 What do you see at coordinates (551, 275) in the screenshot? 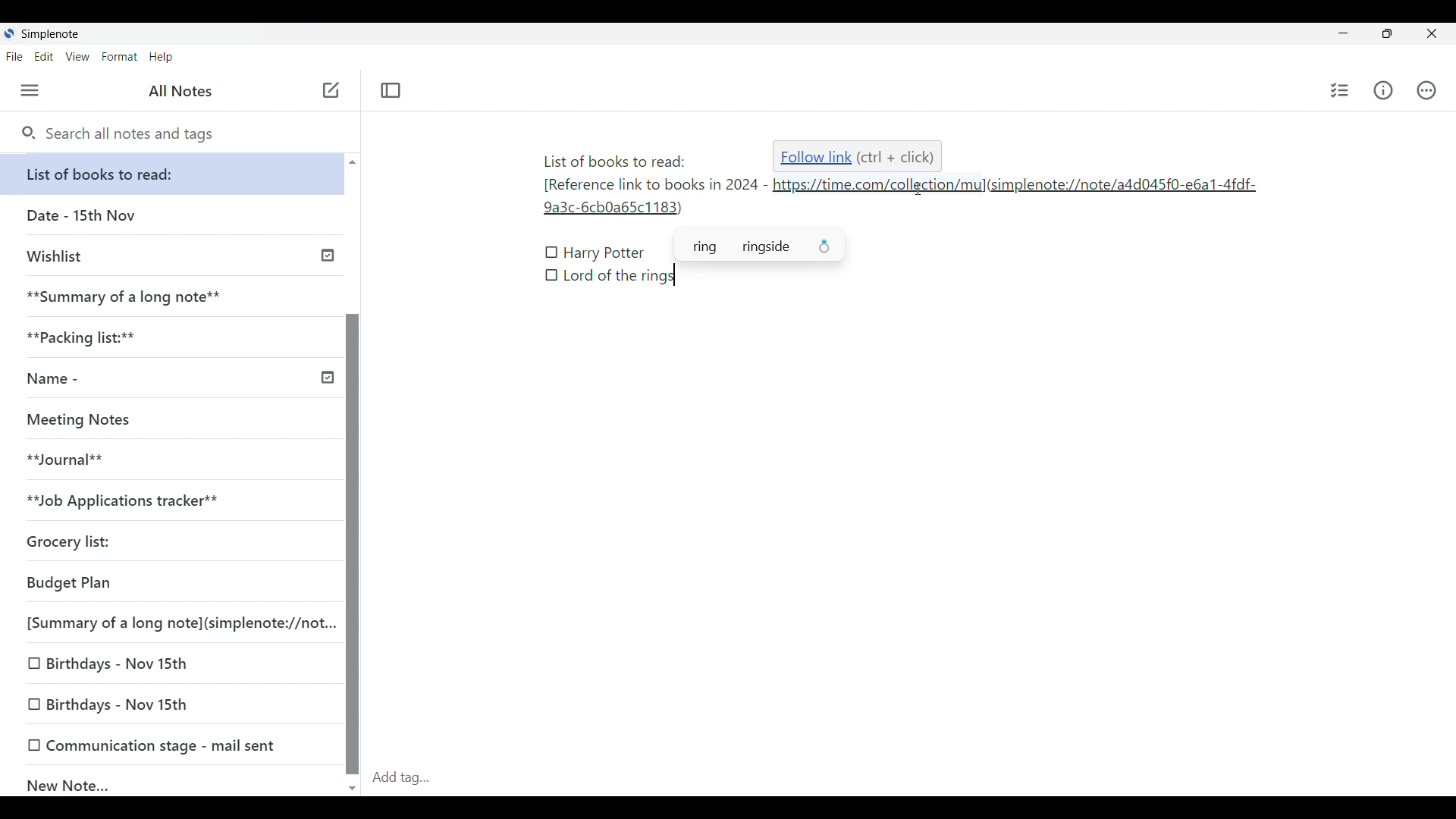
I see `Checklist as markdown` at bounding box center [551, 275].